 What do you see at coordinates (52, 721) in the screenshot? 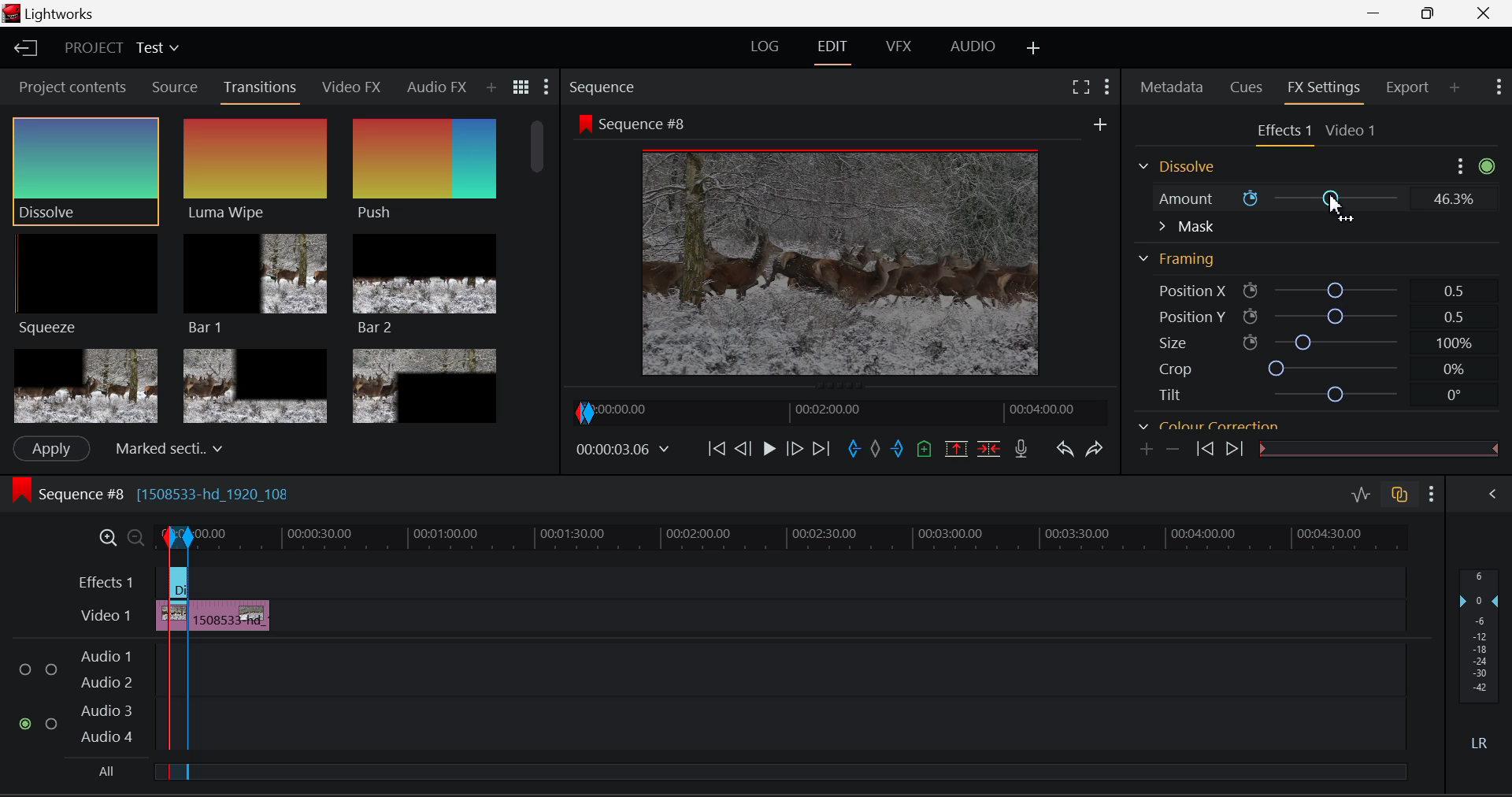
I see `Audio Input Checkbox` at bounding box center [52, 721].